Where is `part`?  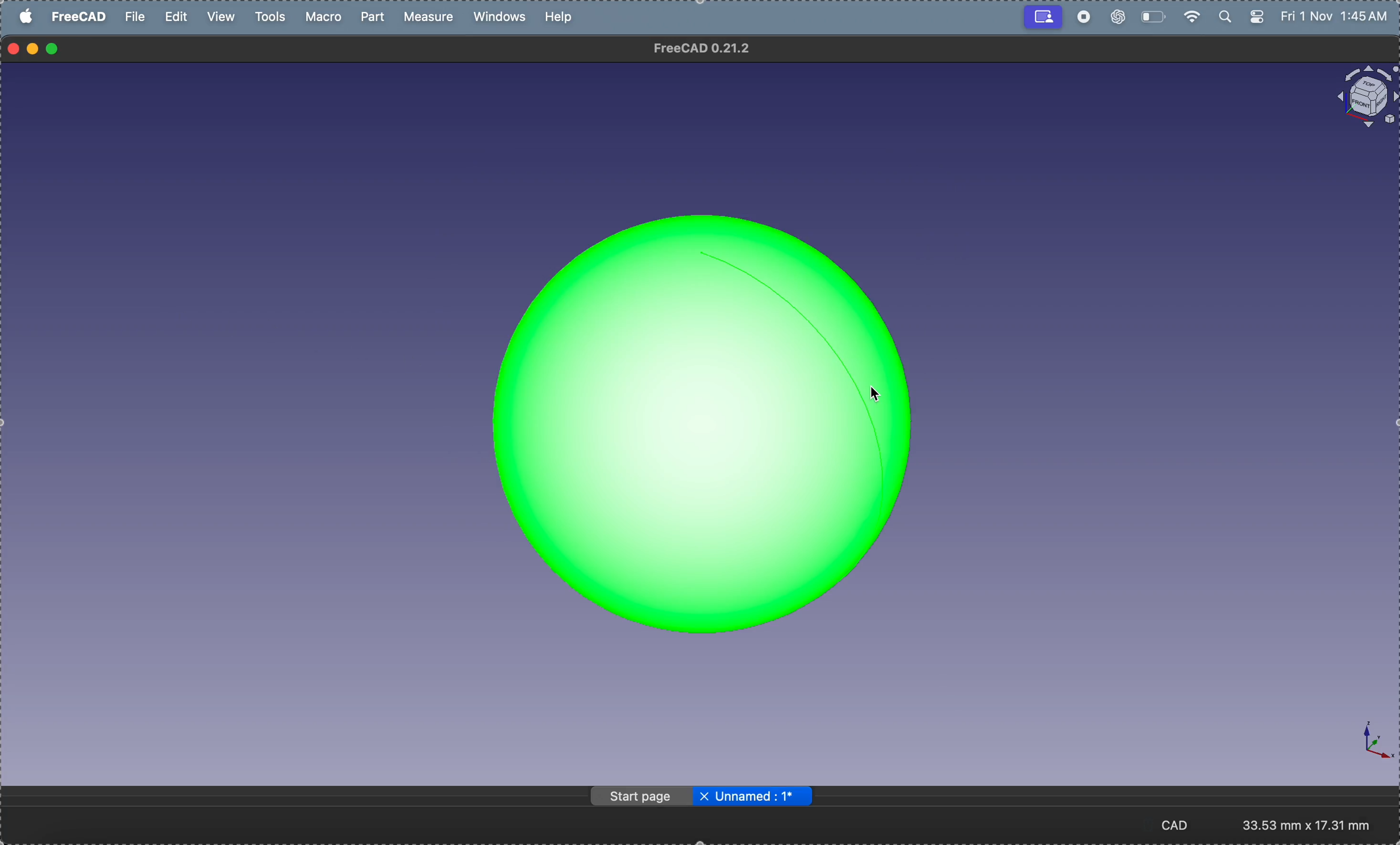
part is located at coordinates (376, 16).